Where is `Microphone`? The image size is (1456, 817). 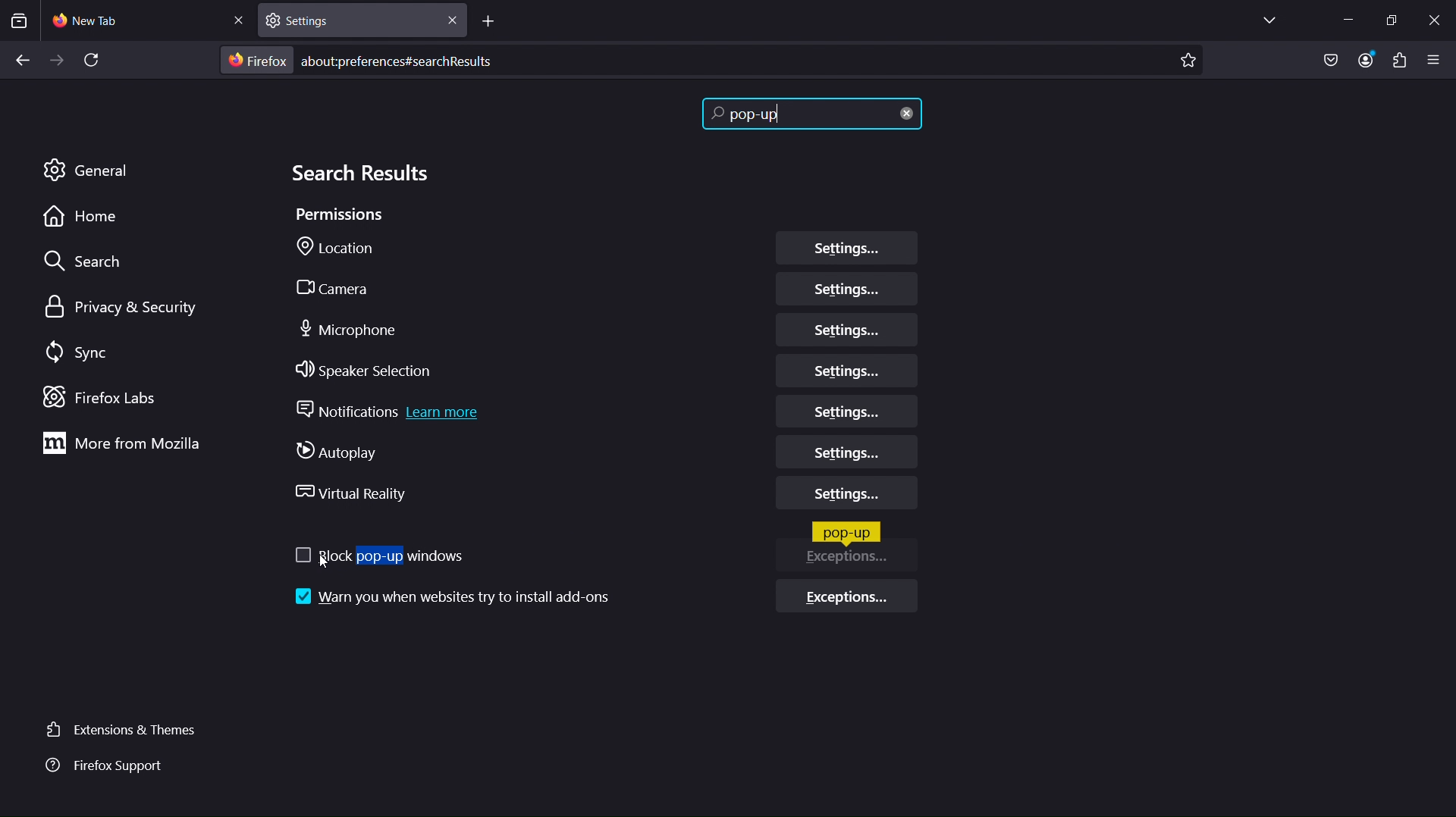
Microphone is located at coordinates (350, 330).